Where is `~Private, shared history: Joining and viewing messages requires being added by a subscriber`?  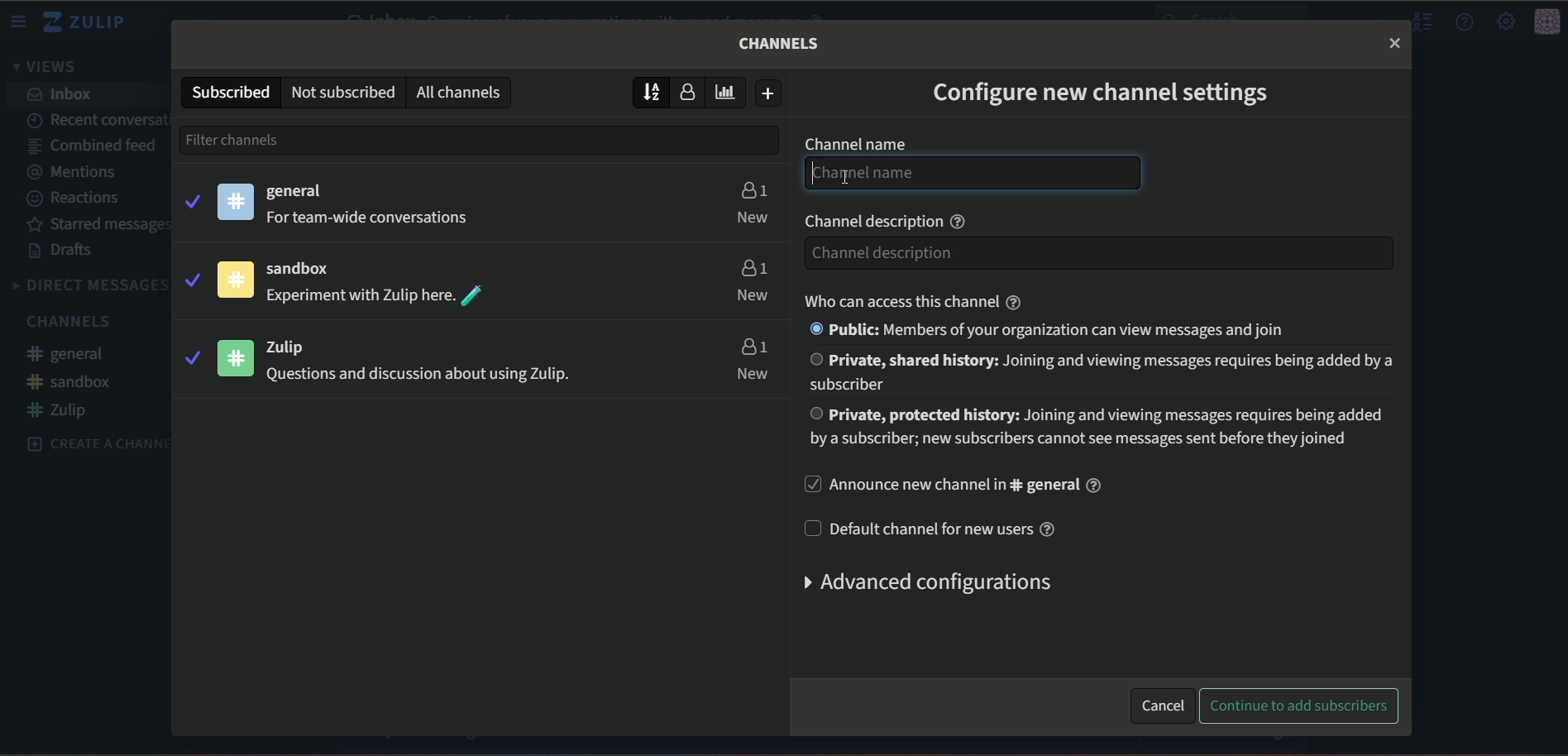
~Private, shared history: Joining and viewing messages requires being added by a subscriber is located at coordinates (1097, 371).